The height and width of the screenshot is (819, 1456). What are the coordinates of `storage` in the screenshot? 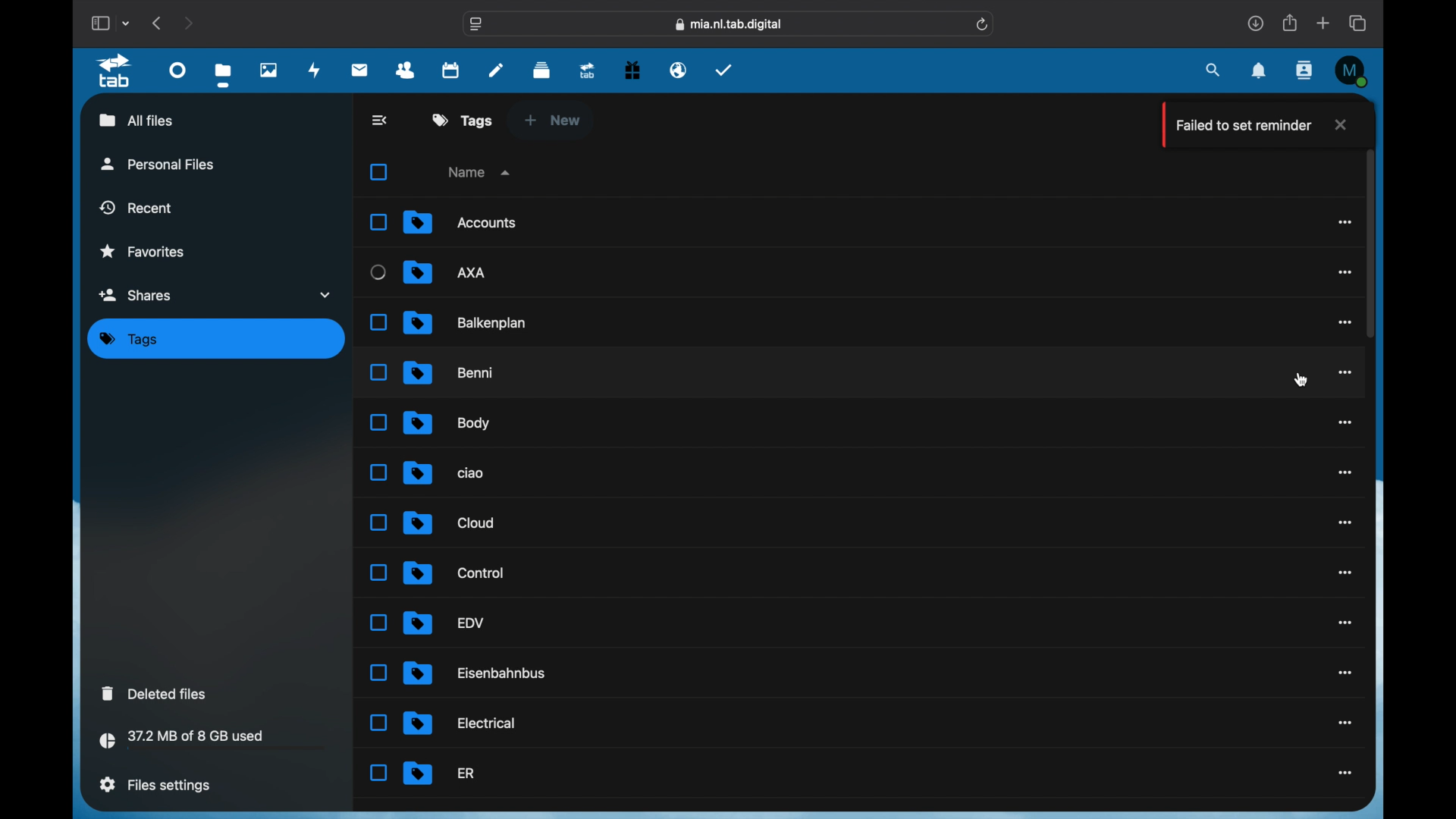 It's located at (213, 742).